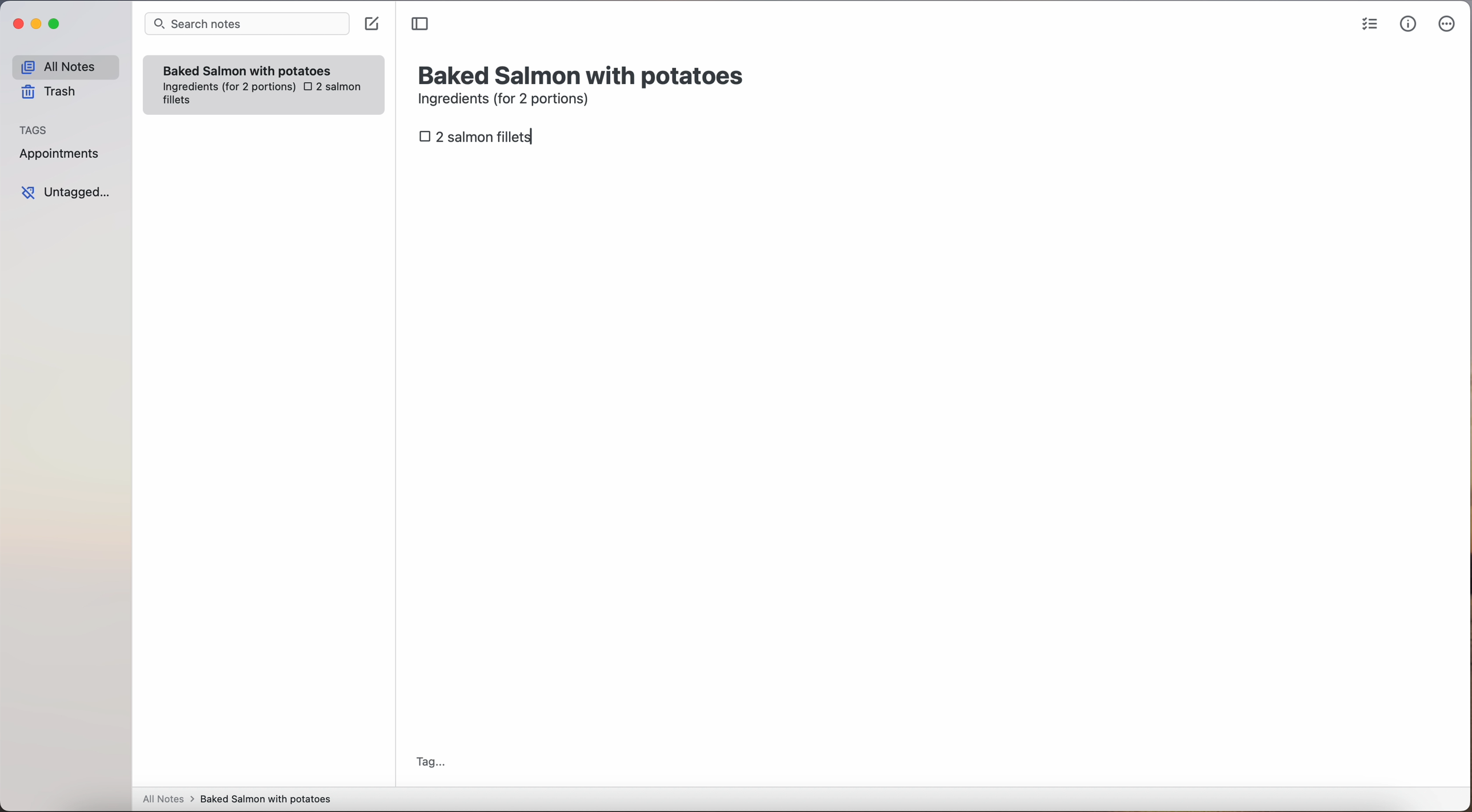 The height and width of the screenshot is (812, 1472). I want to click on more options, so click(1449, 25).